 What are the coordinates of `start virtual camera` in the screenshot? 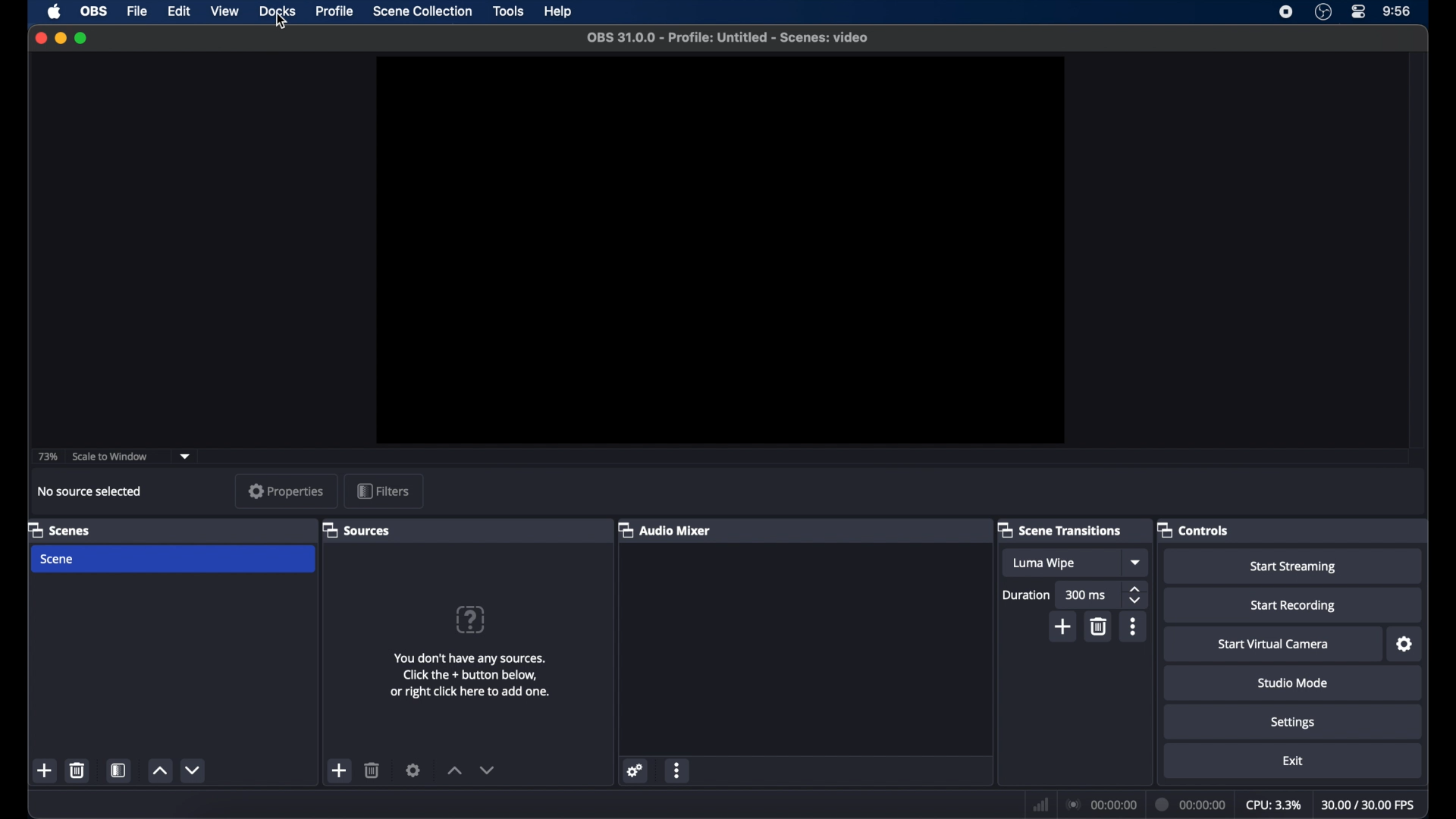 It's located at (1273, 644).